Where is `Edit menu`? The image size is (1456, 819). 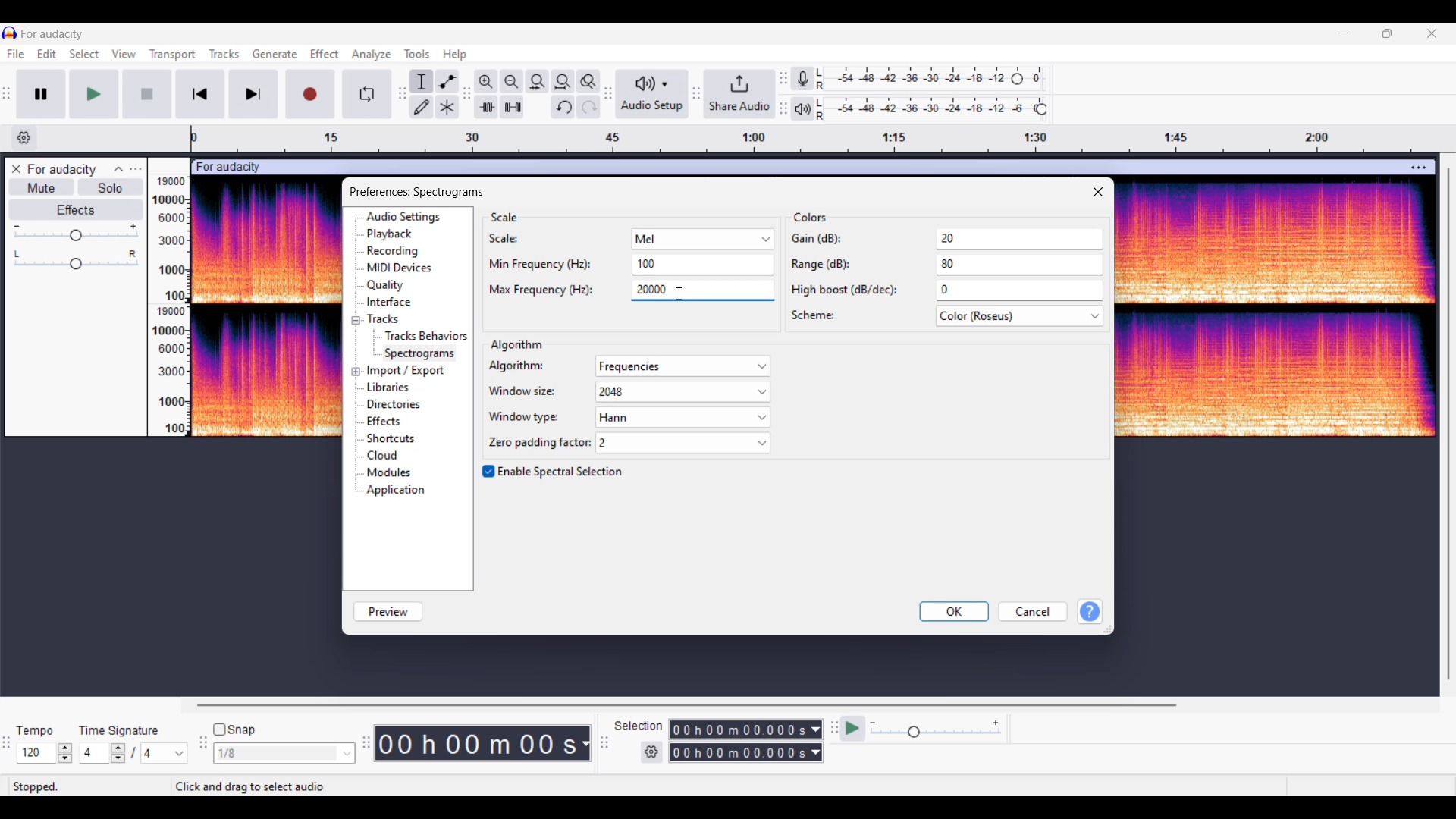 Edit menu is located at coordinates (46, 54).